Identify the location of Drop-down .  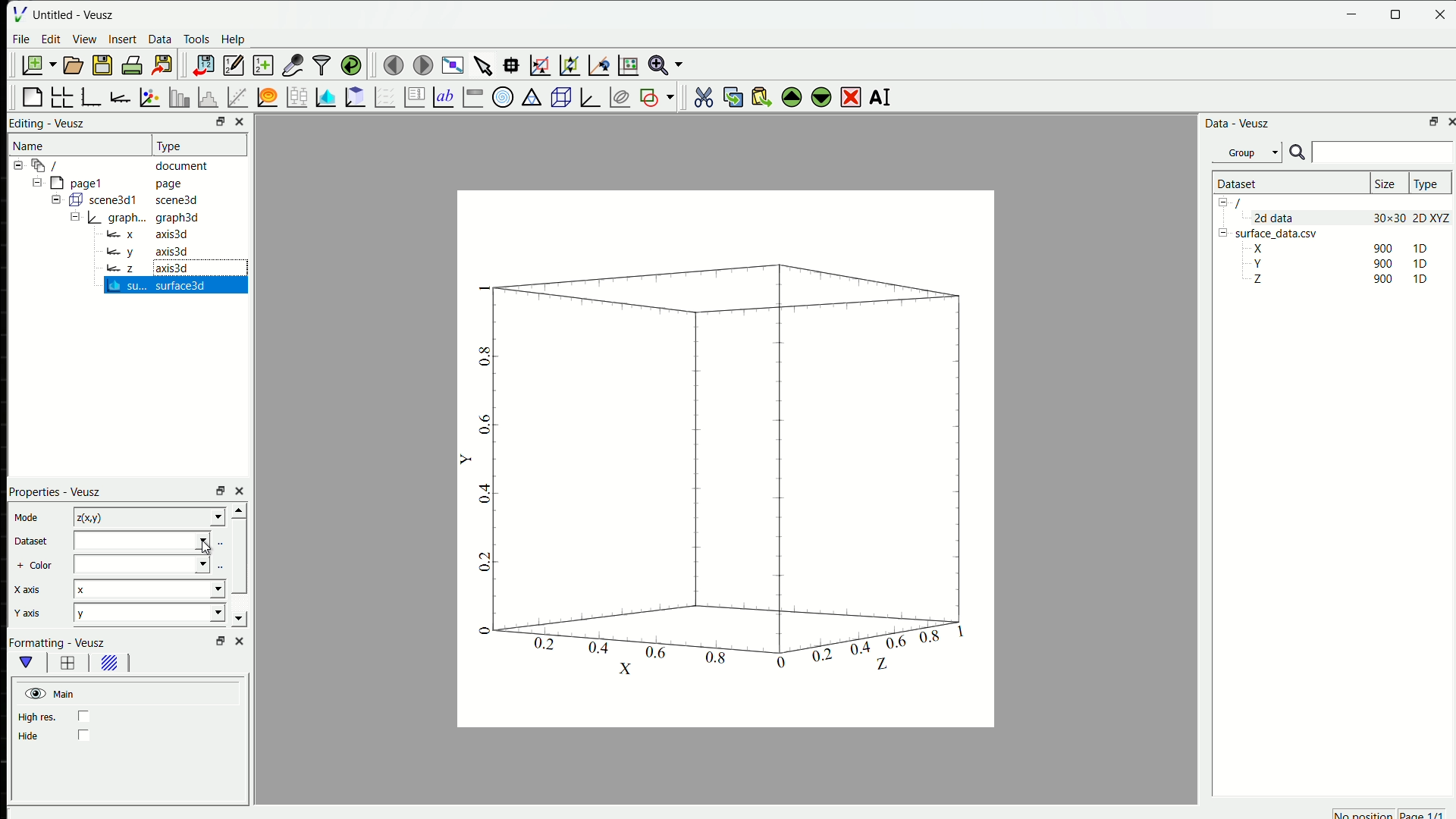
(204, 564).